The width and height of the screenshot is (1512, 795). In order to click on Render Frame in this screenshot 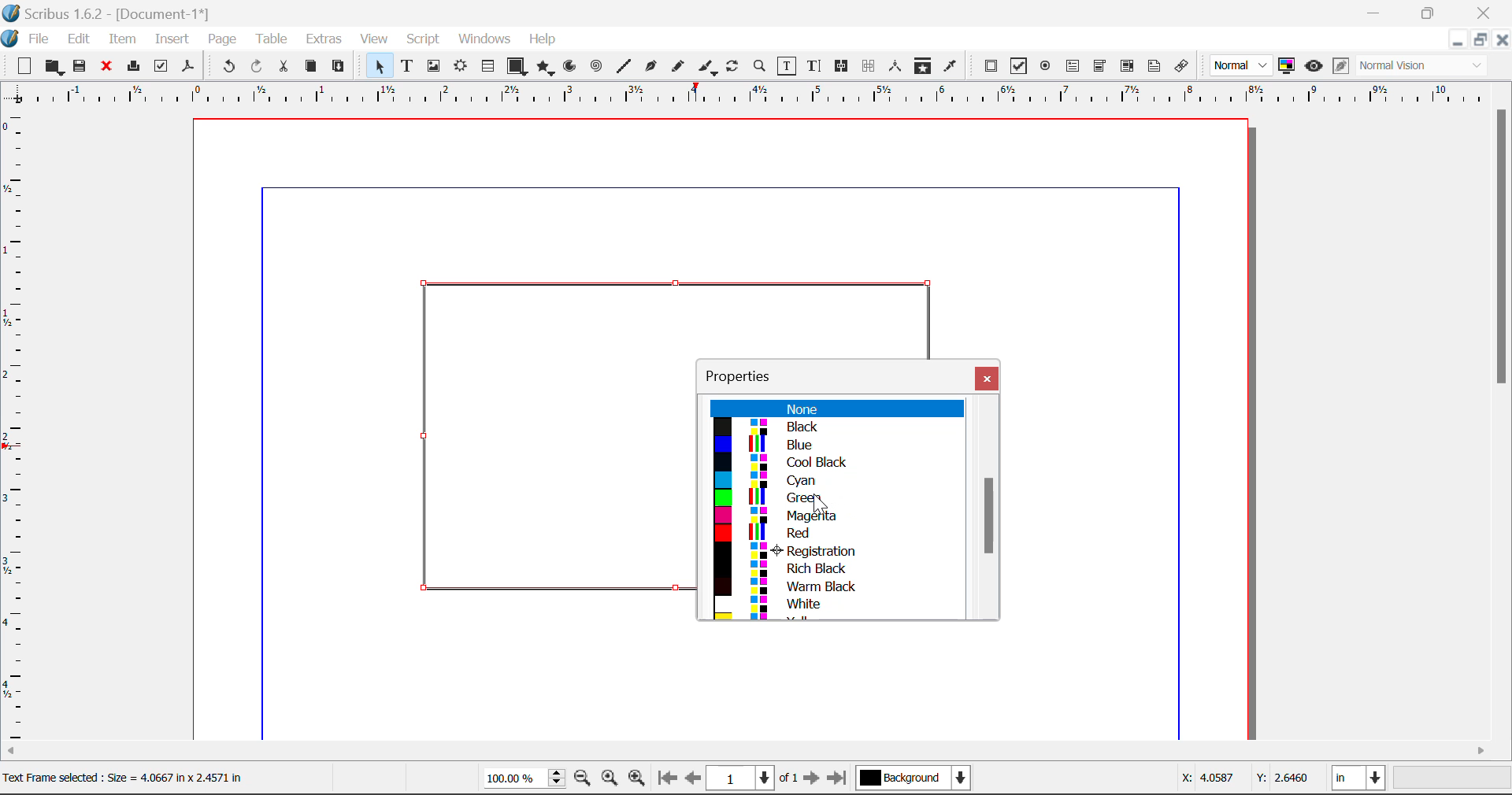, I will do `click(460, 67)`.